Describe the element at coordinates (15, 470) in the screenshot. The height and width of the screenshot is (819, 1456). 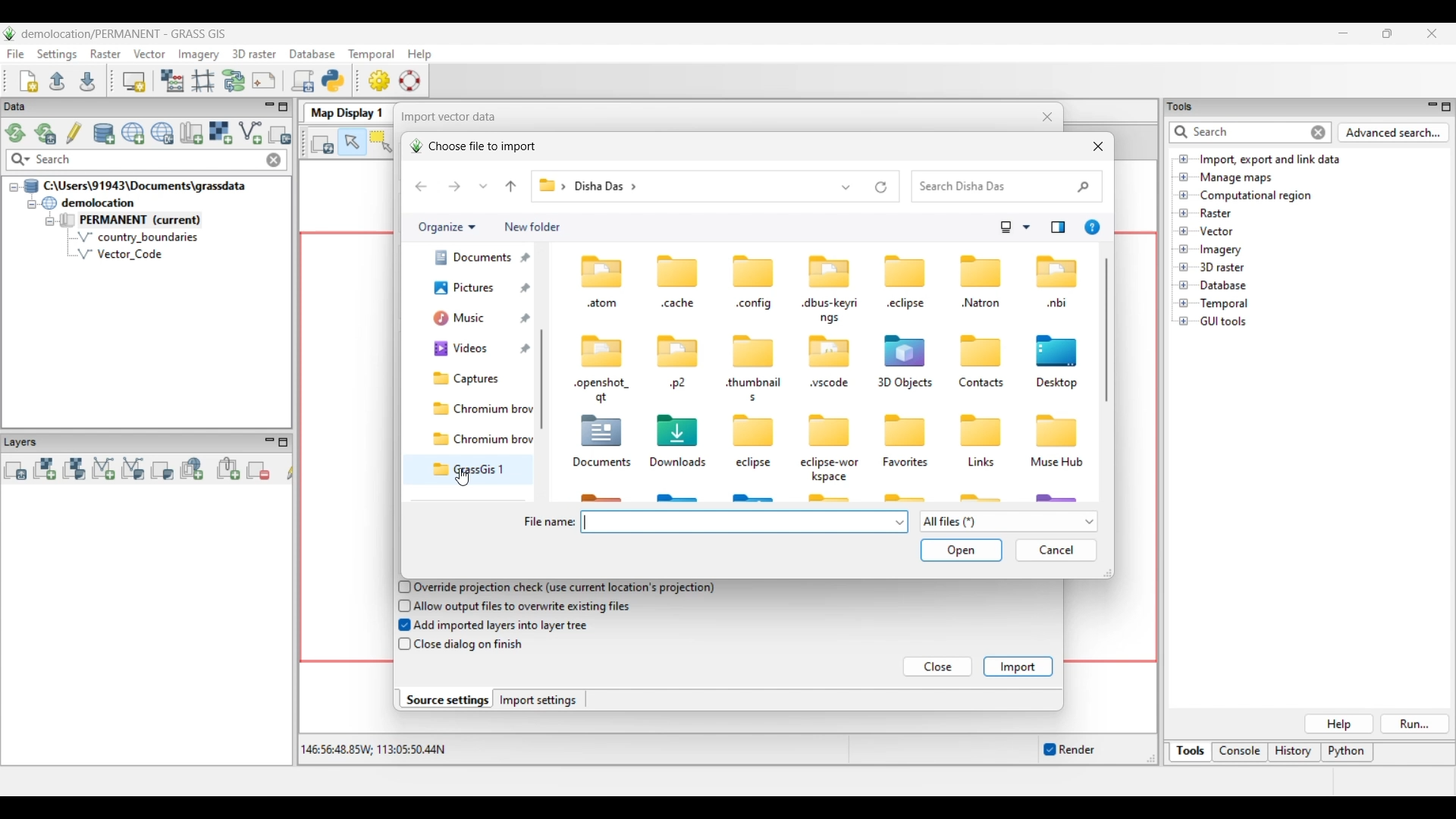
I see `Add multiple vector or raster map layers` at that location.